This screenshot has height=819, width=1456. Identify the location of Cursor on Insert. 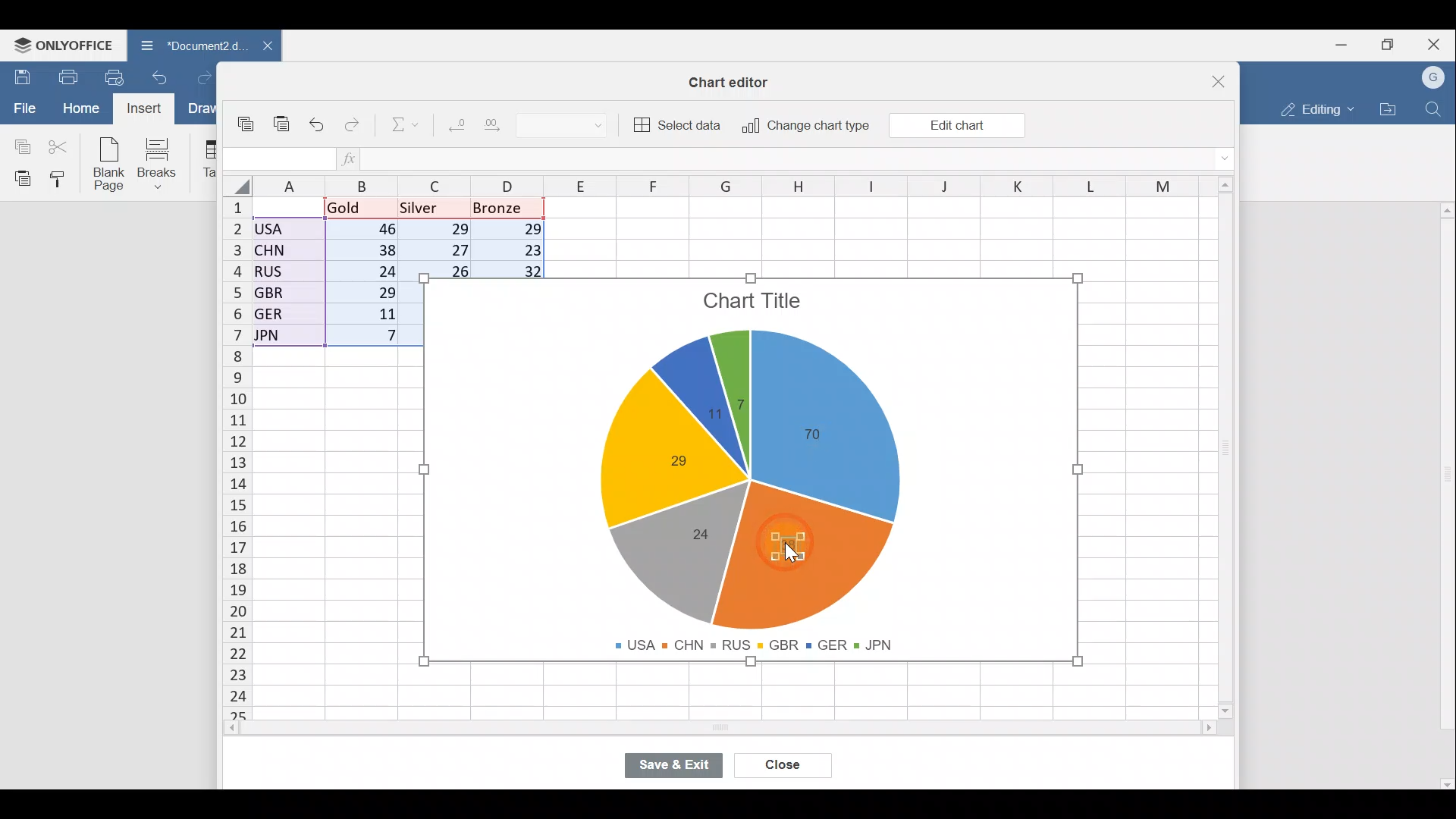
(149, 108).